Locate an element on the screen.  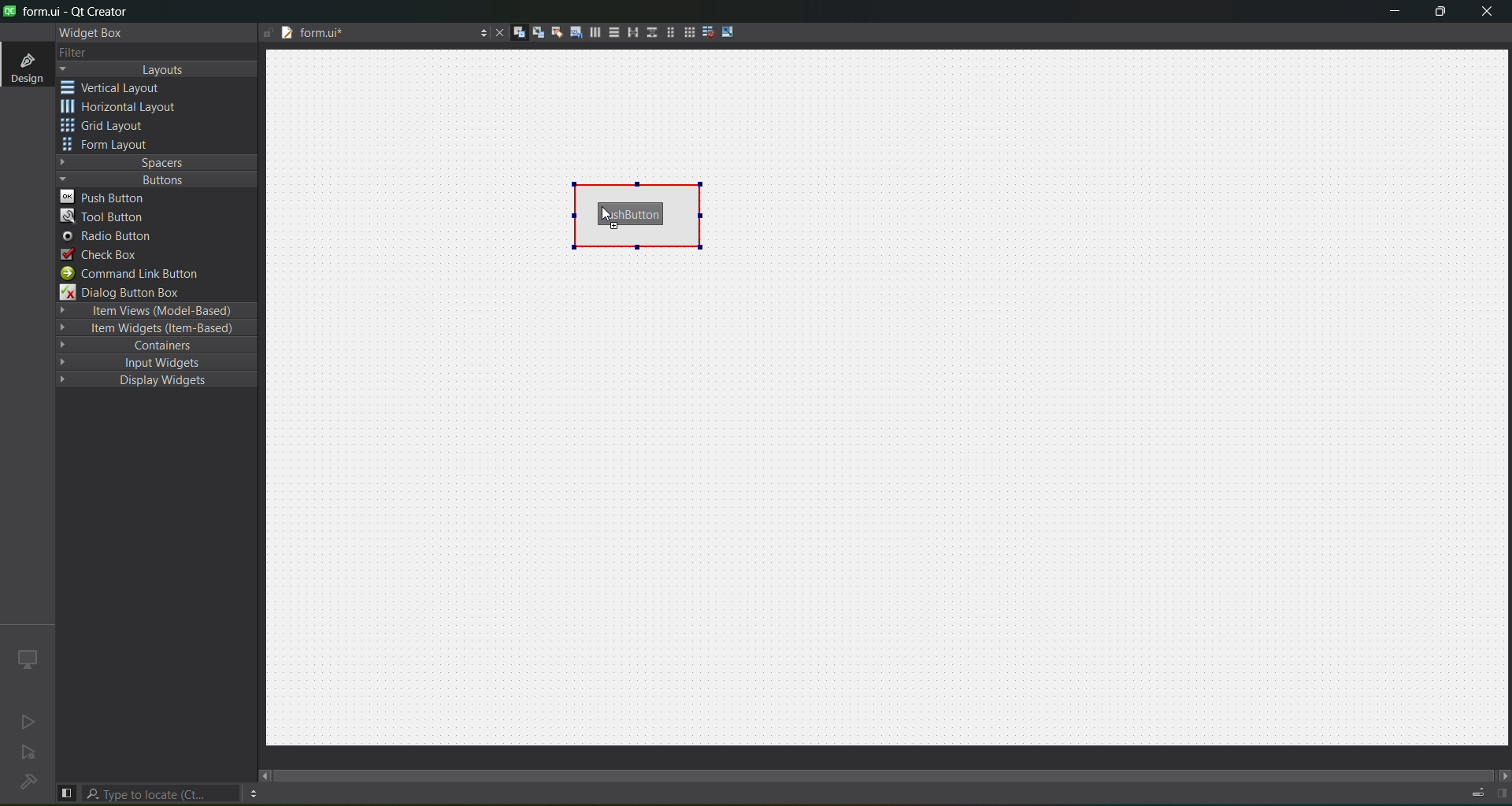
input widgets is located at coordinates (149, 362).